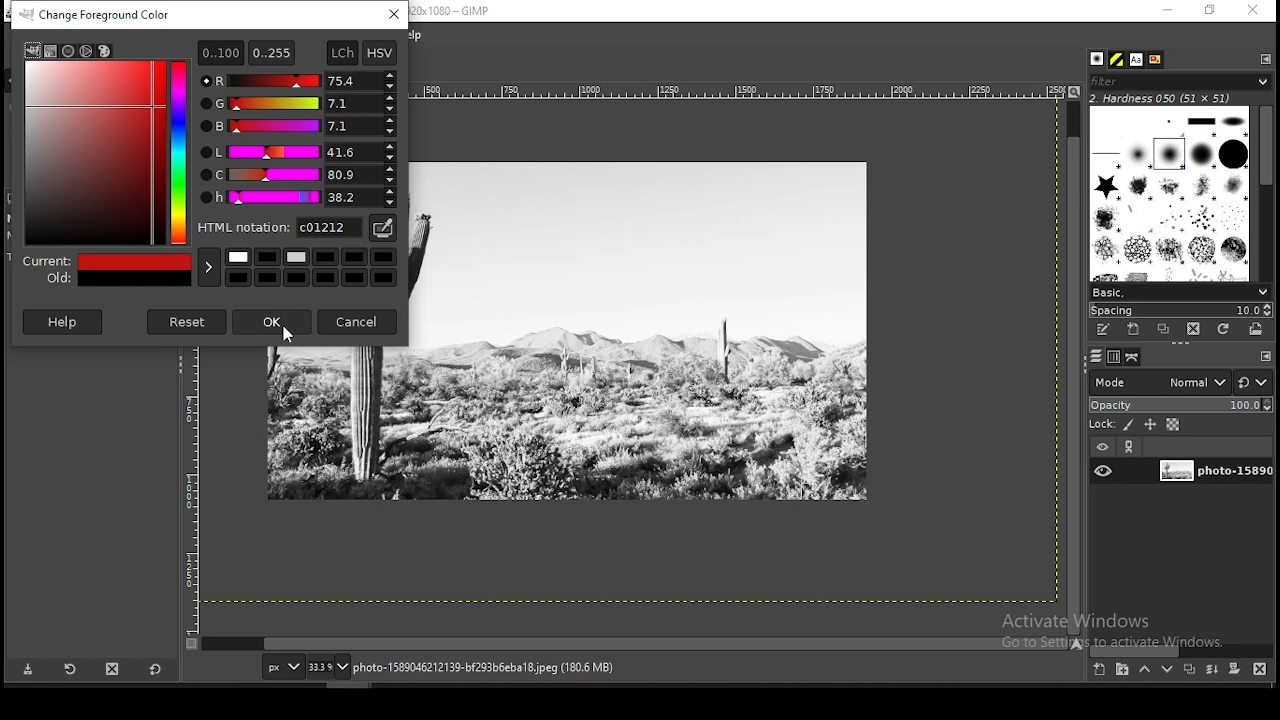  Describe the element at coordinates (1185, 98) in the screenshot. I see `hardness 050` at that location.